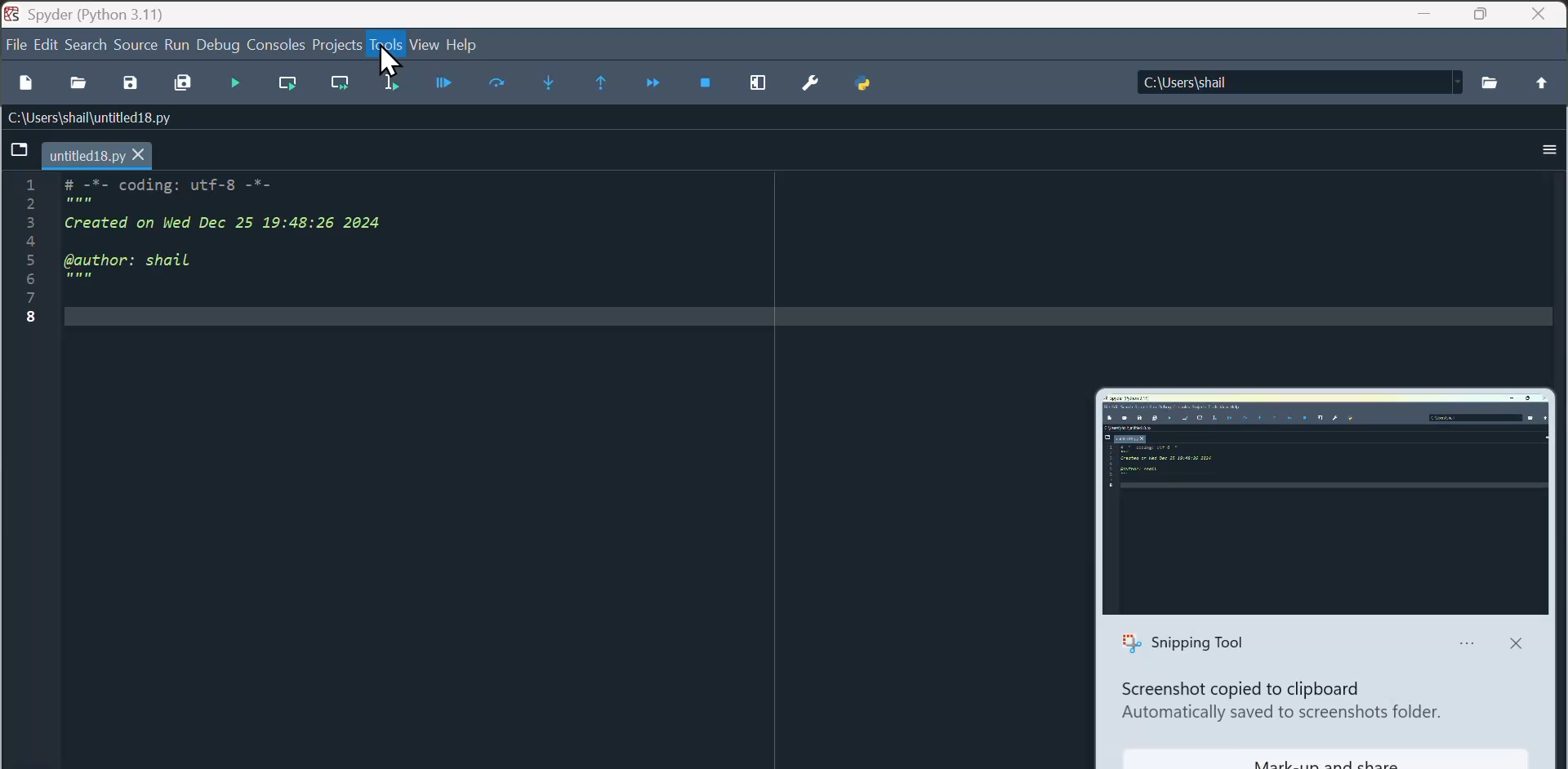  Describe the element at coordinates (1539, 82) in the screenshot. I see `change to parent folder` at that location.